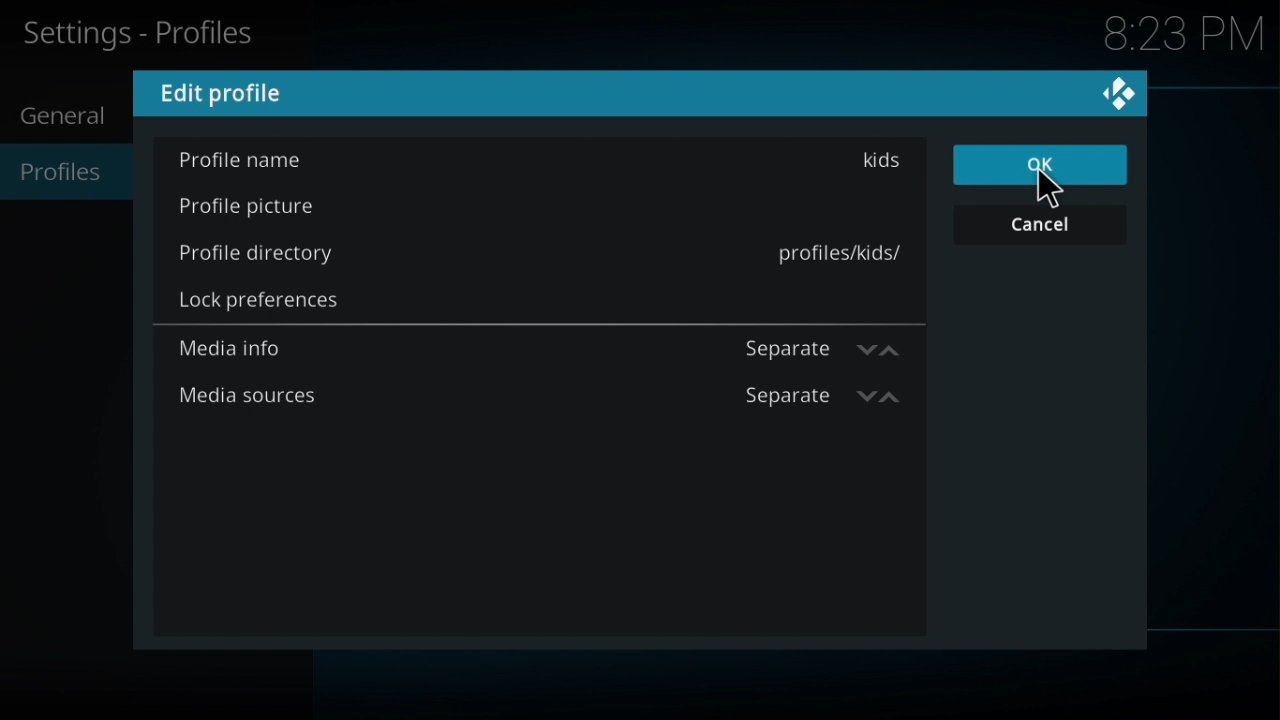 The image size is (1280, 720). I want to click on kids, so click(885, 163).